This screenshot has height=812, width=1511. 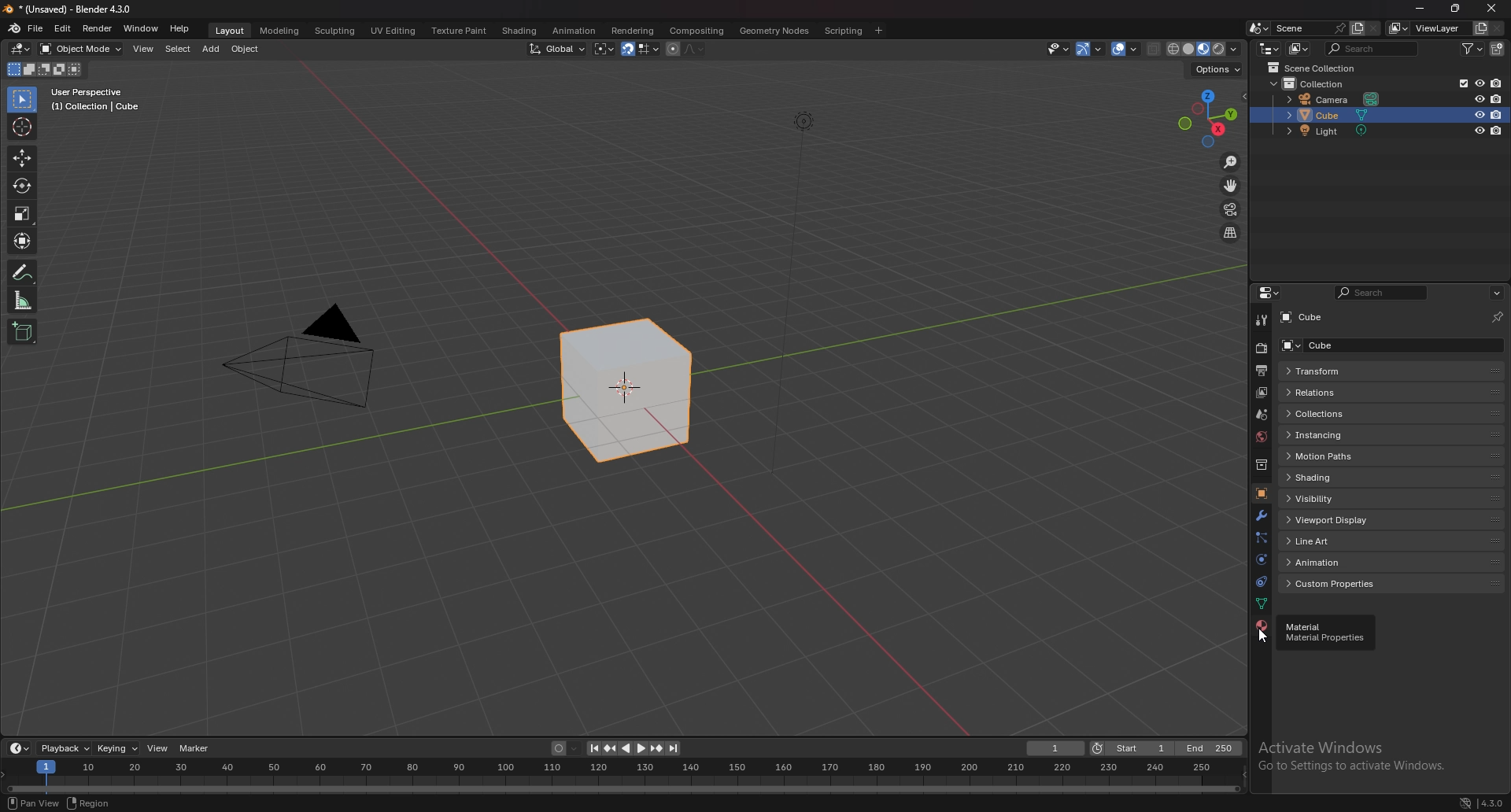 What do you see at coordinates (1269, 48) in the screenshot?
I see `editor type` at bounding box center [1269, 48].